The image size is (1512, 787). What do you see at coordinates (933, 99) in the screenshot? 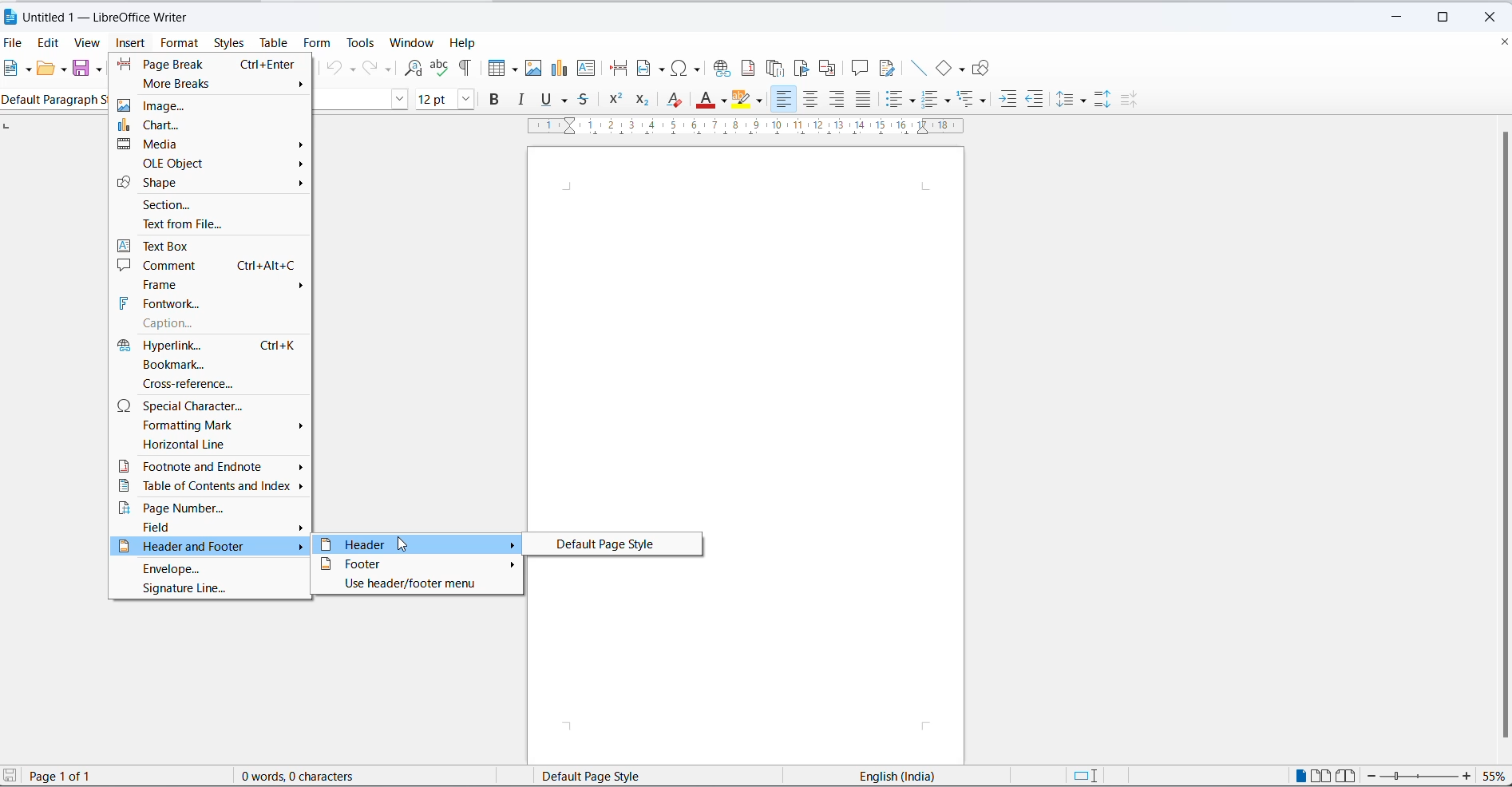
I see `toggle ordered list` at bounding box center [933, 99].